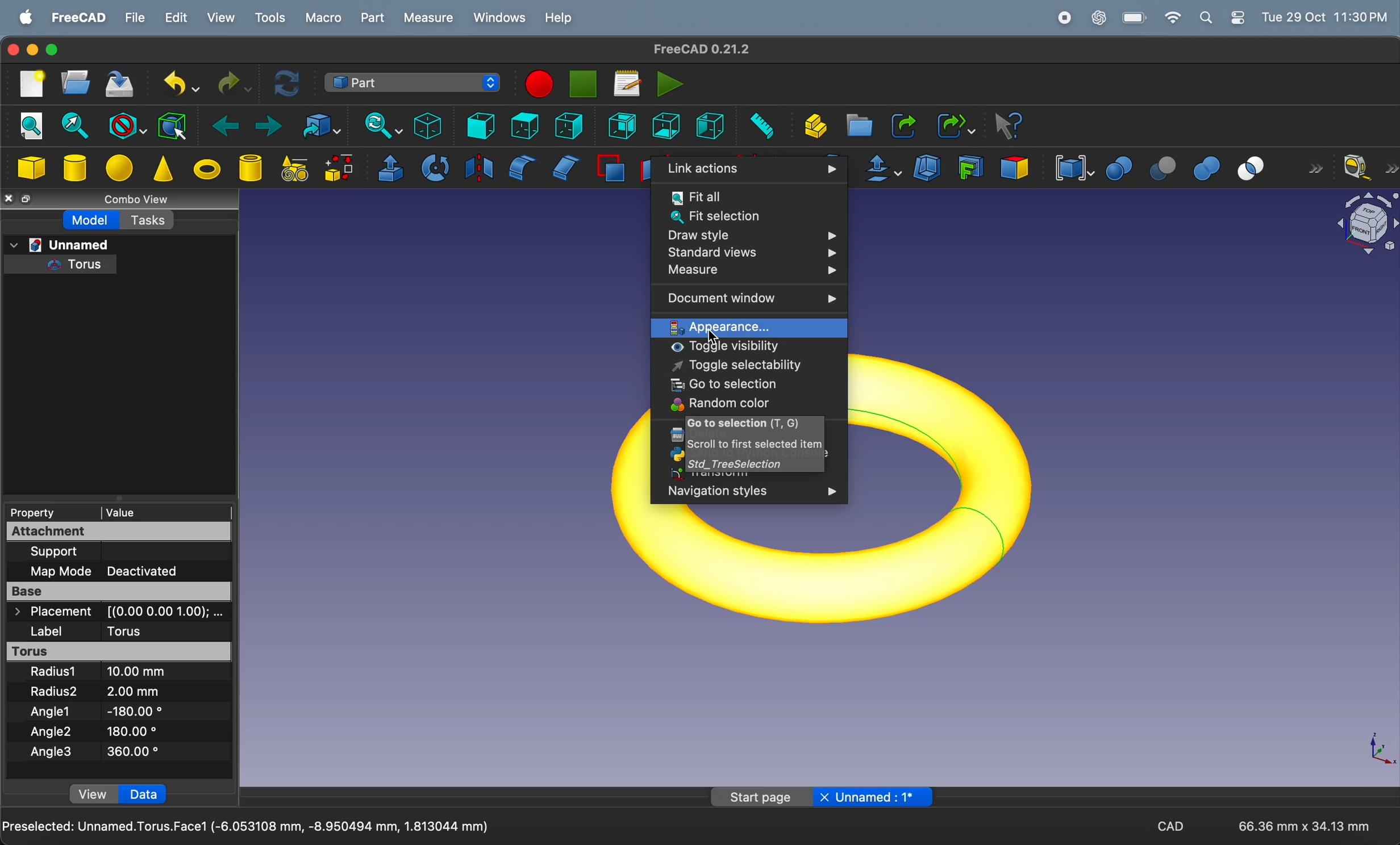 The width and height of the screenshot is (1400, 845). What do you see at coordinates (745, 271) in the screenshot?
I see `measure` at bounding box center [745, 271].